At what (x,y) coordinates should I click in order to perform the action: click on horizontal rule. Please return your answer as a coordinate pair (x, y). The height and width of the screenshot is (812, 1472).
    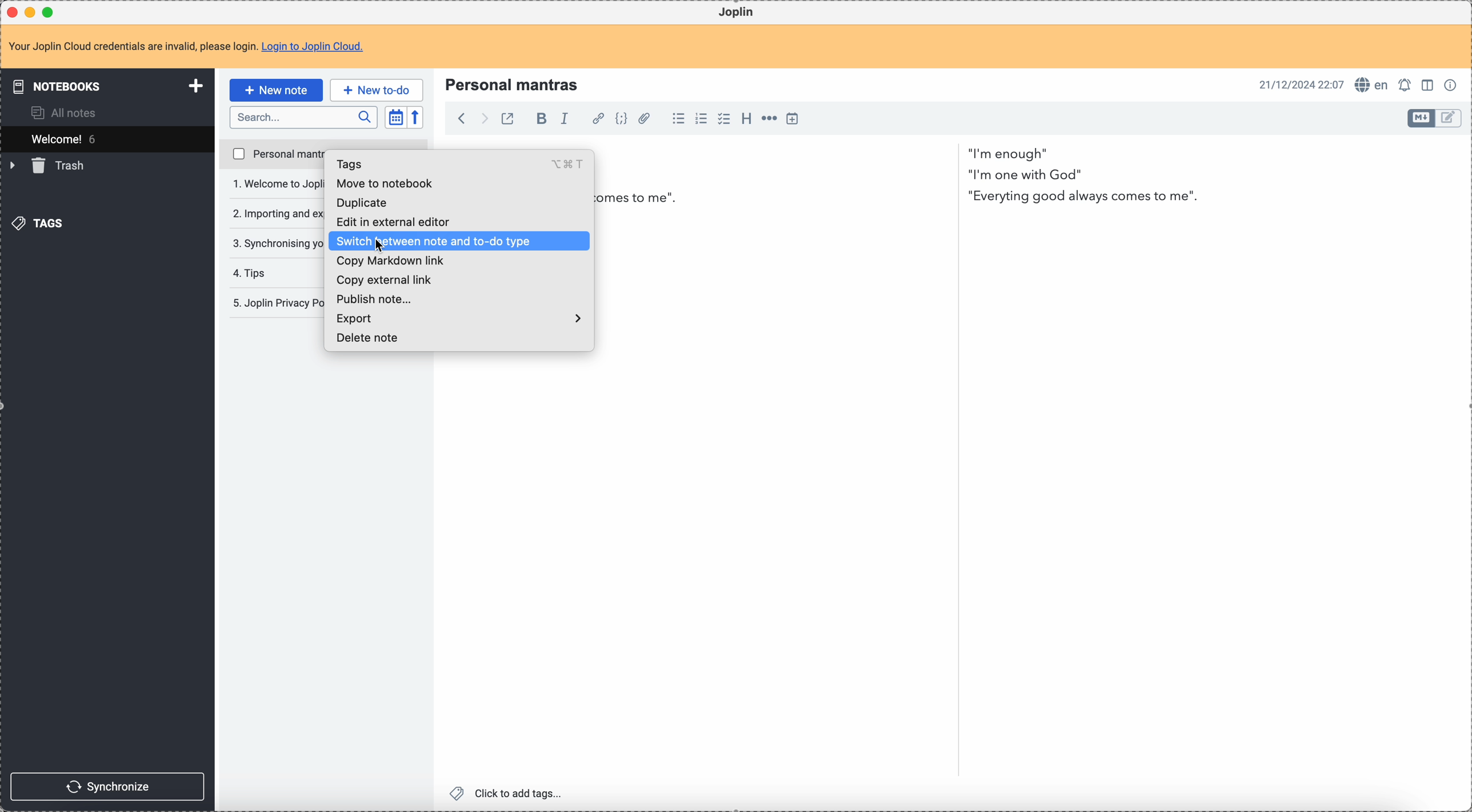
    Looking at the image, I should click on (769, 120).